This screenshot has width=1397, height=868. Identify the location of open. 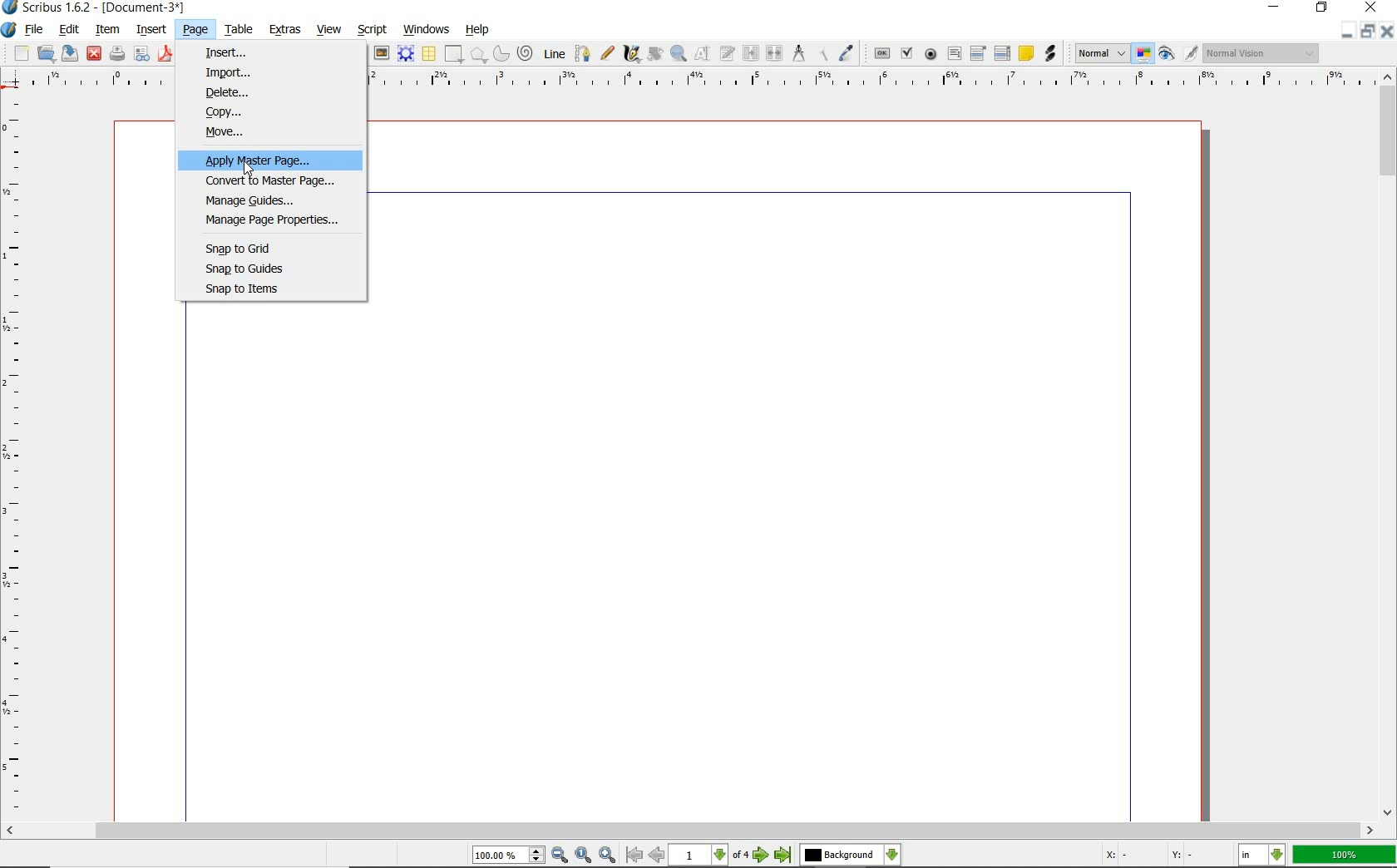
(47, 53).